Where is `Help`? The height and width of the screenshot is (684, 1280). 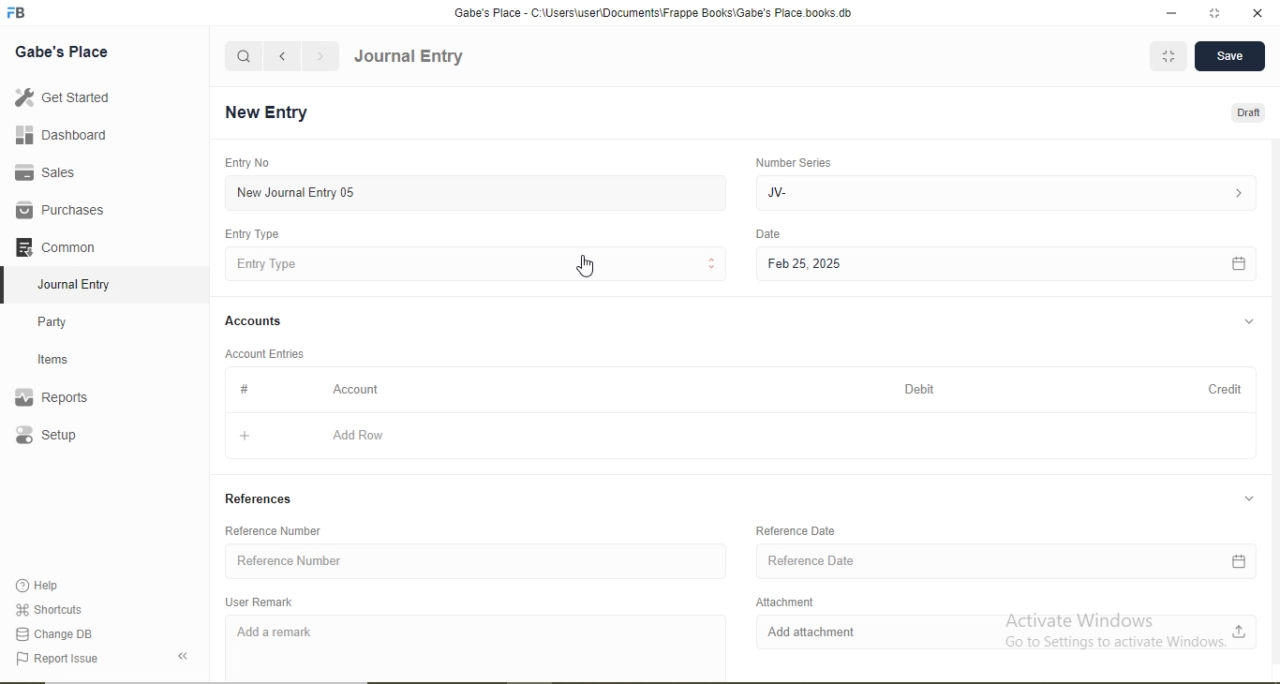
Help is located at coordinates (46, 586).